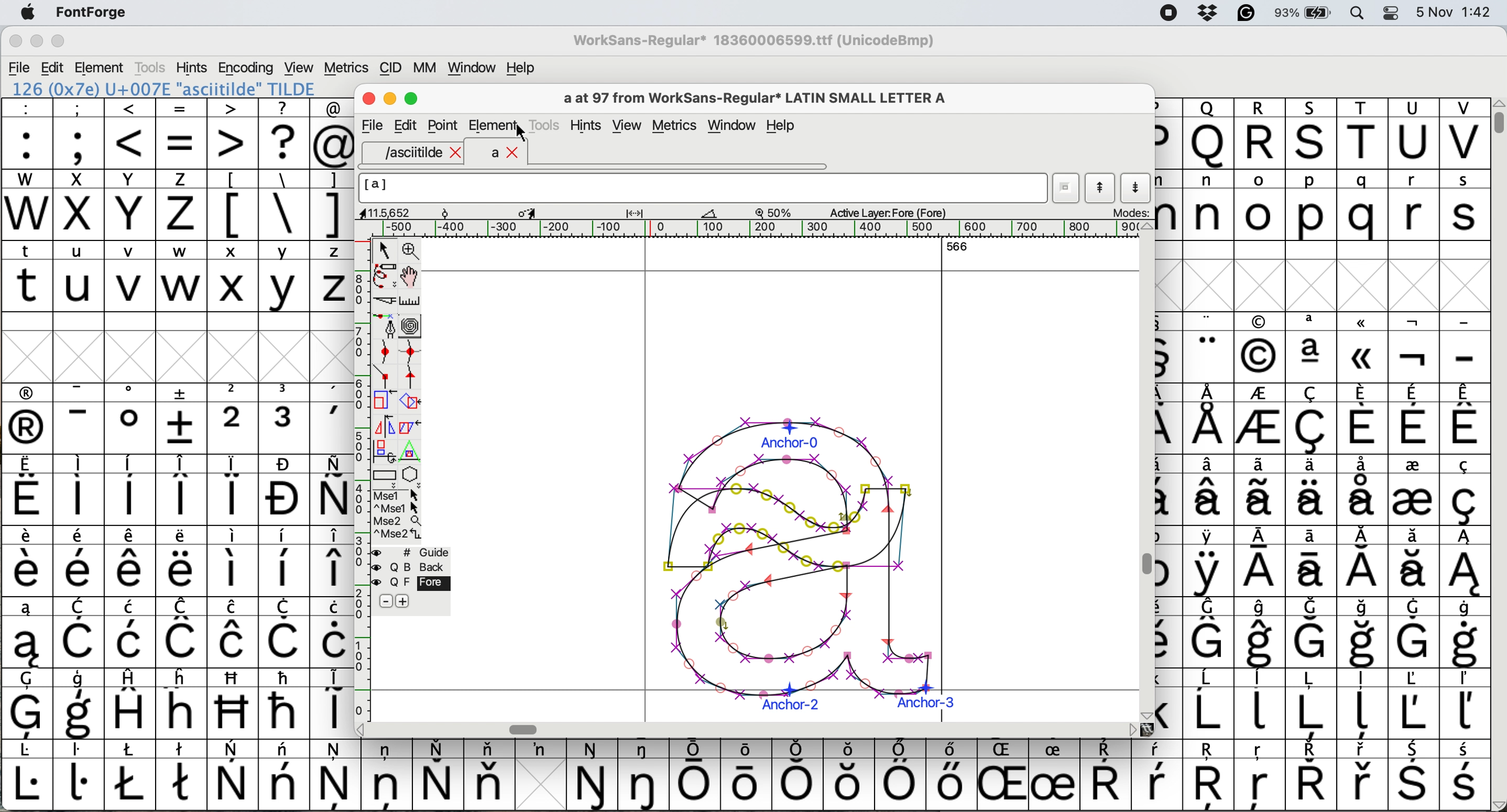  Describe the element at coordinates (1312, 633) in the screenshot. I see `symbol` at that location.